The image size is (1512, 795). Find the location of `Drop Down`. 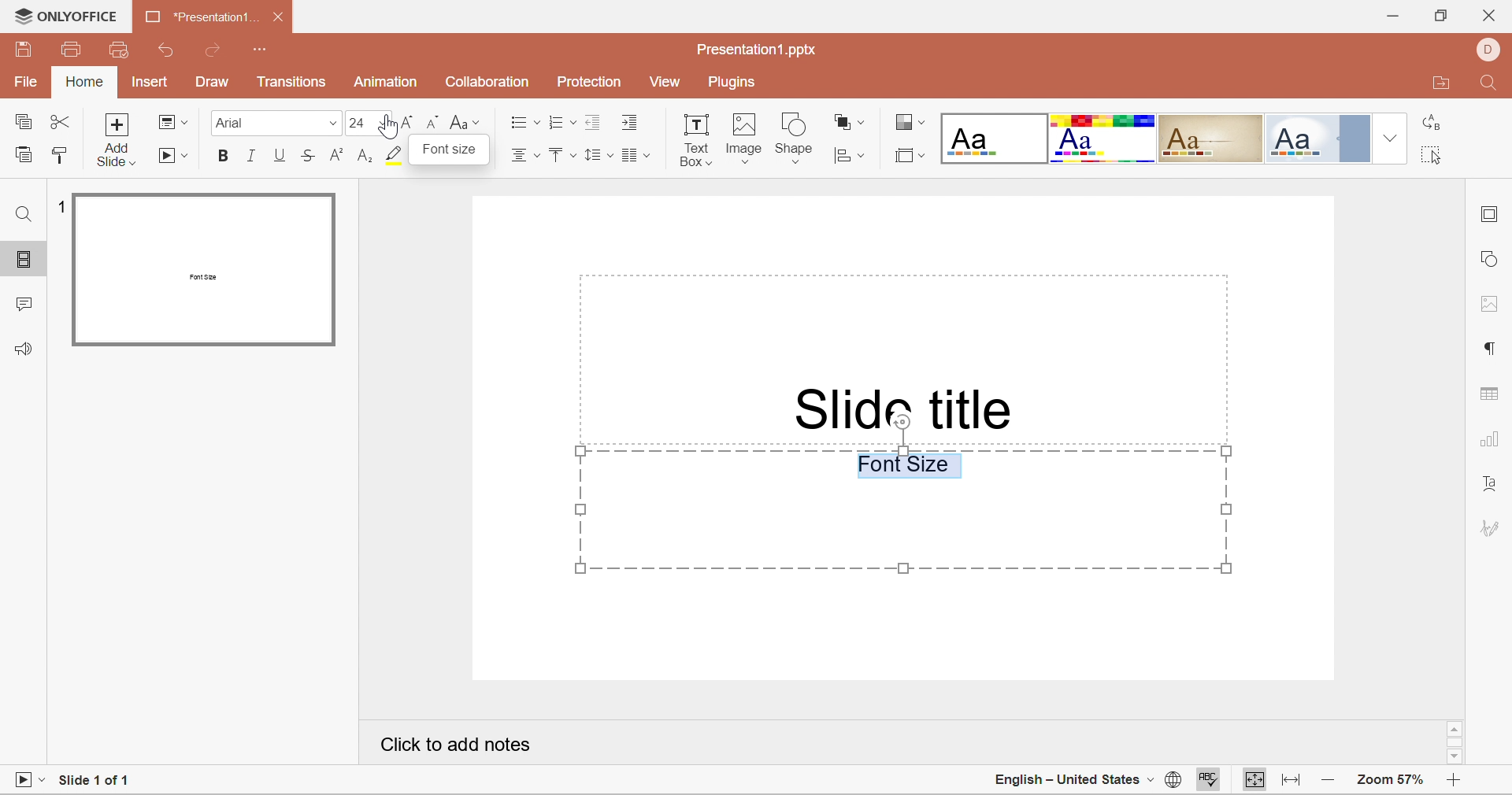

Drop Down is located at coordinates (333, 128).